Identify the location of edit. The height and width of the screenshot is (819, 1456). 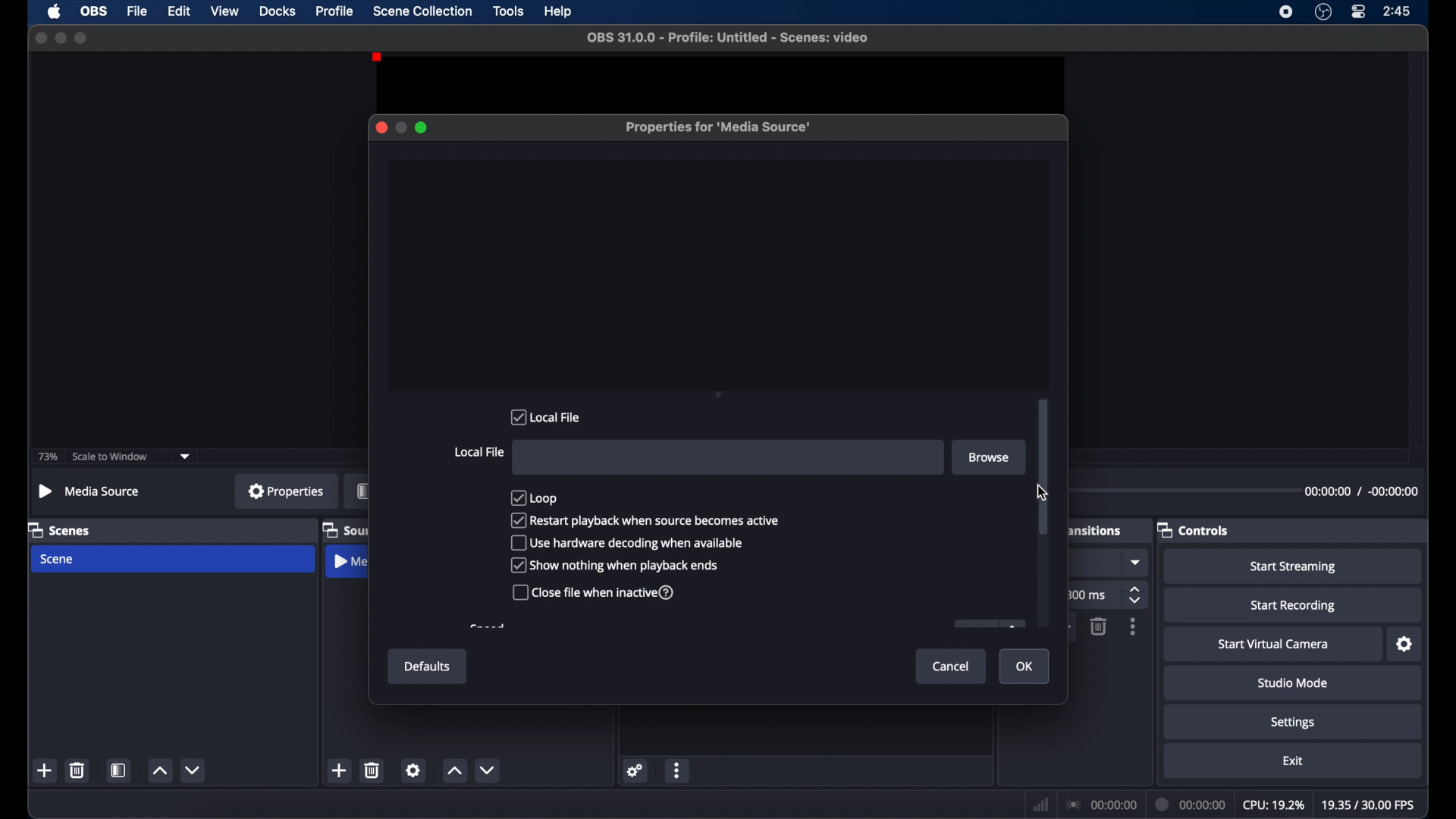
(179, 11).